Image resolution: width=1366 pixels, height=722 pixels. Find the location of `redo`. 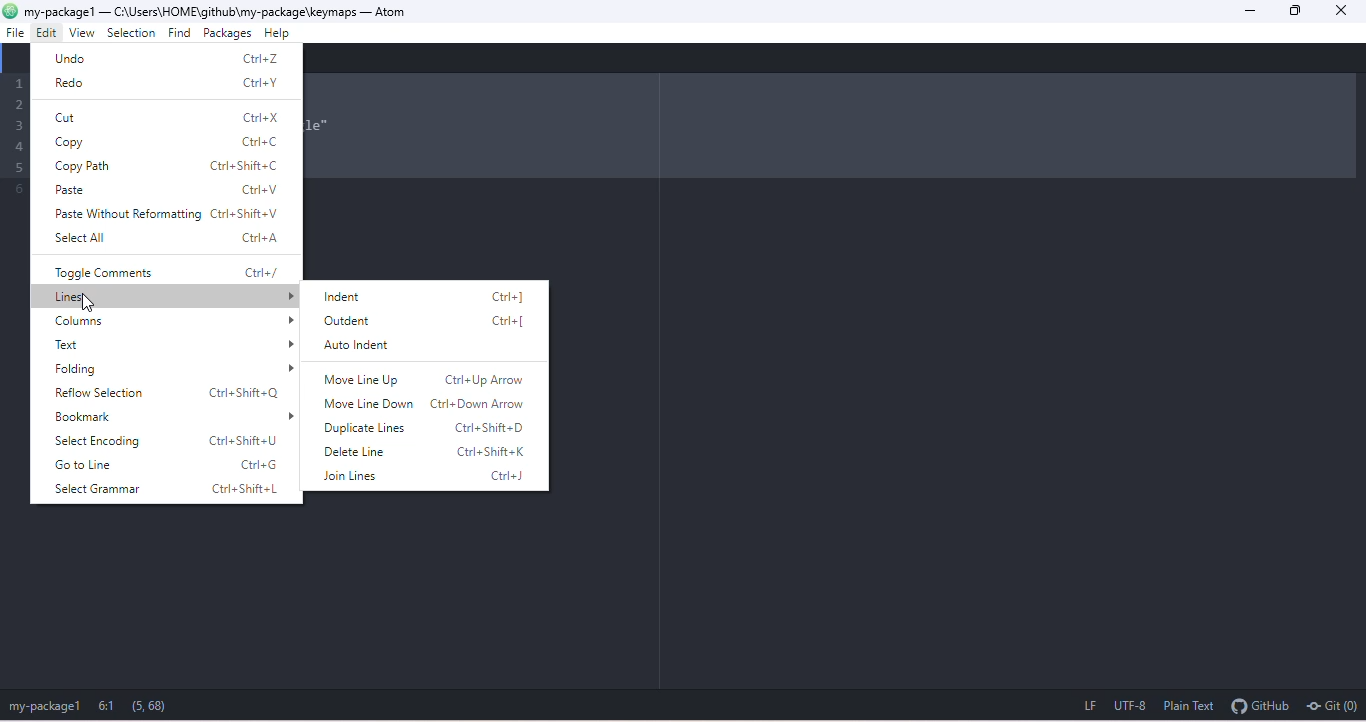

redo is located at coordinates (166, 85).